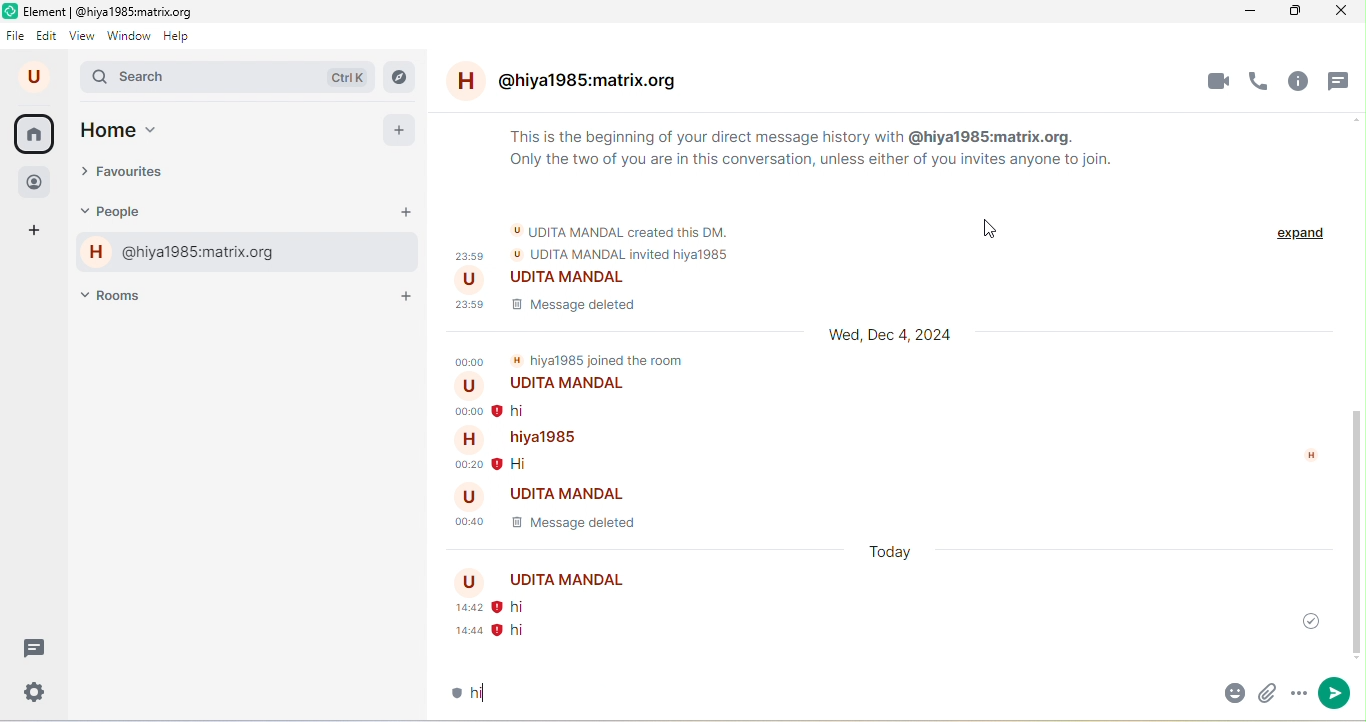  What do you see at coordinates (820, 155) in the screenshot?
I see `text on conversation` at bounding box center [820, 155].